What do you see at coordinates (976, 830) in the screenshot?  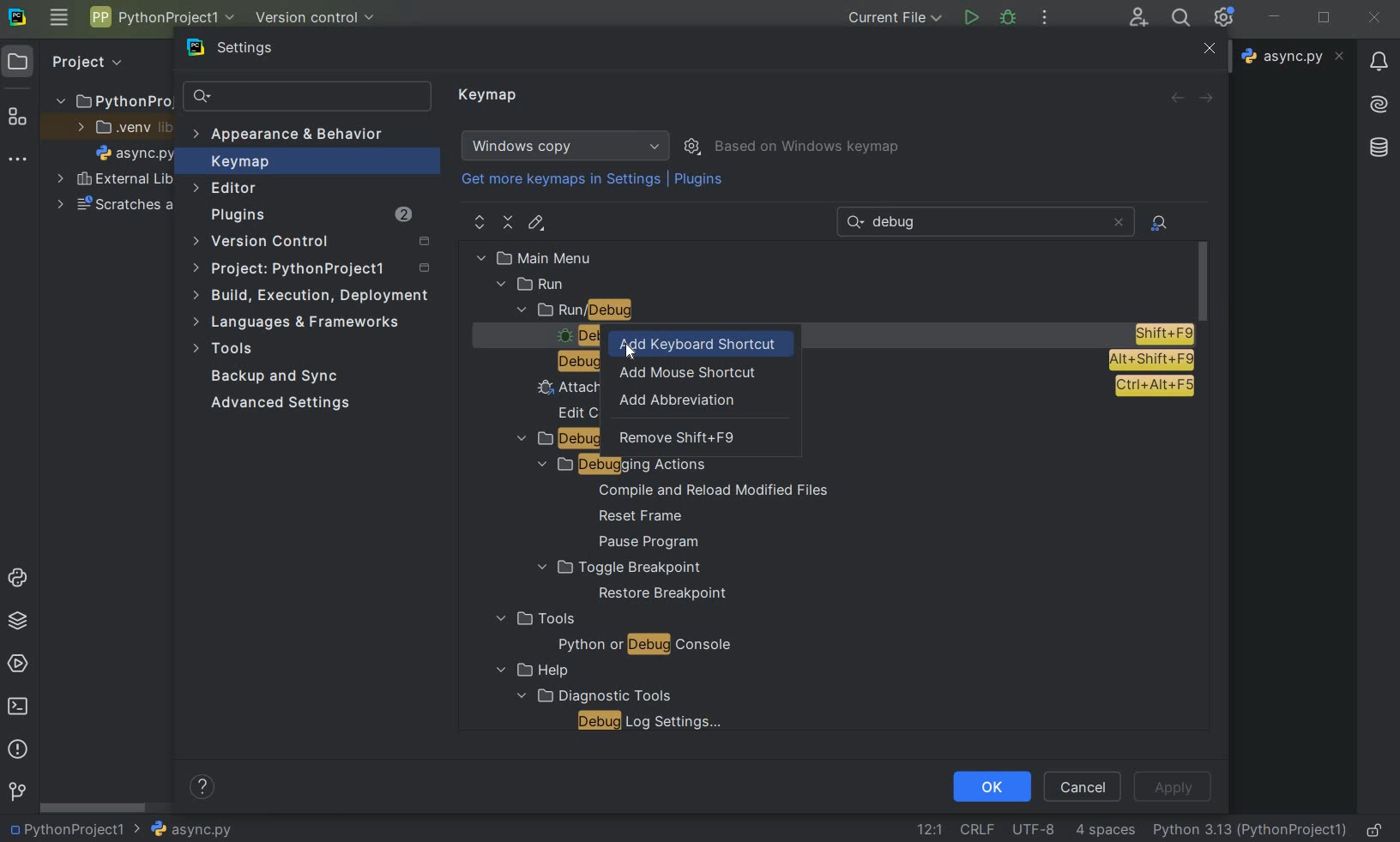 I see `line separator` at bounding box center [976, 830].